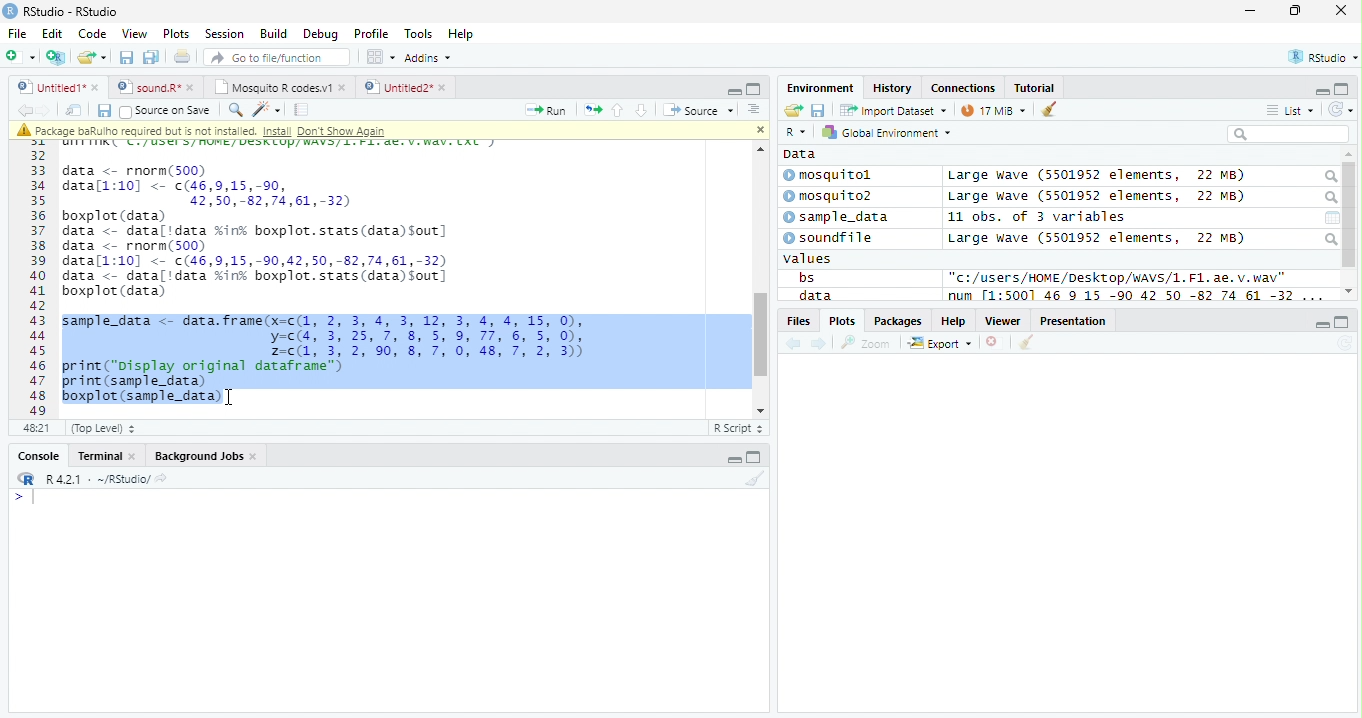 The width and height of the screenshot is (1362, 718). I want to click on search, so click(1330, 239).